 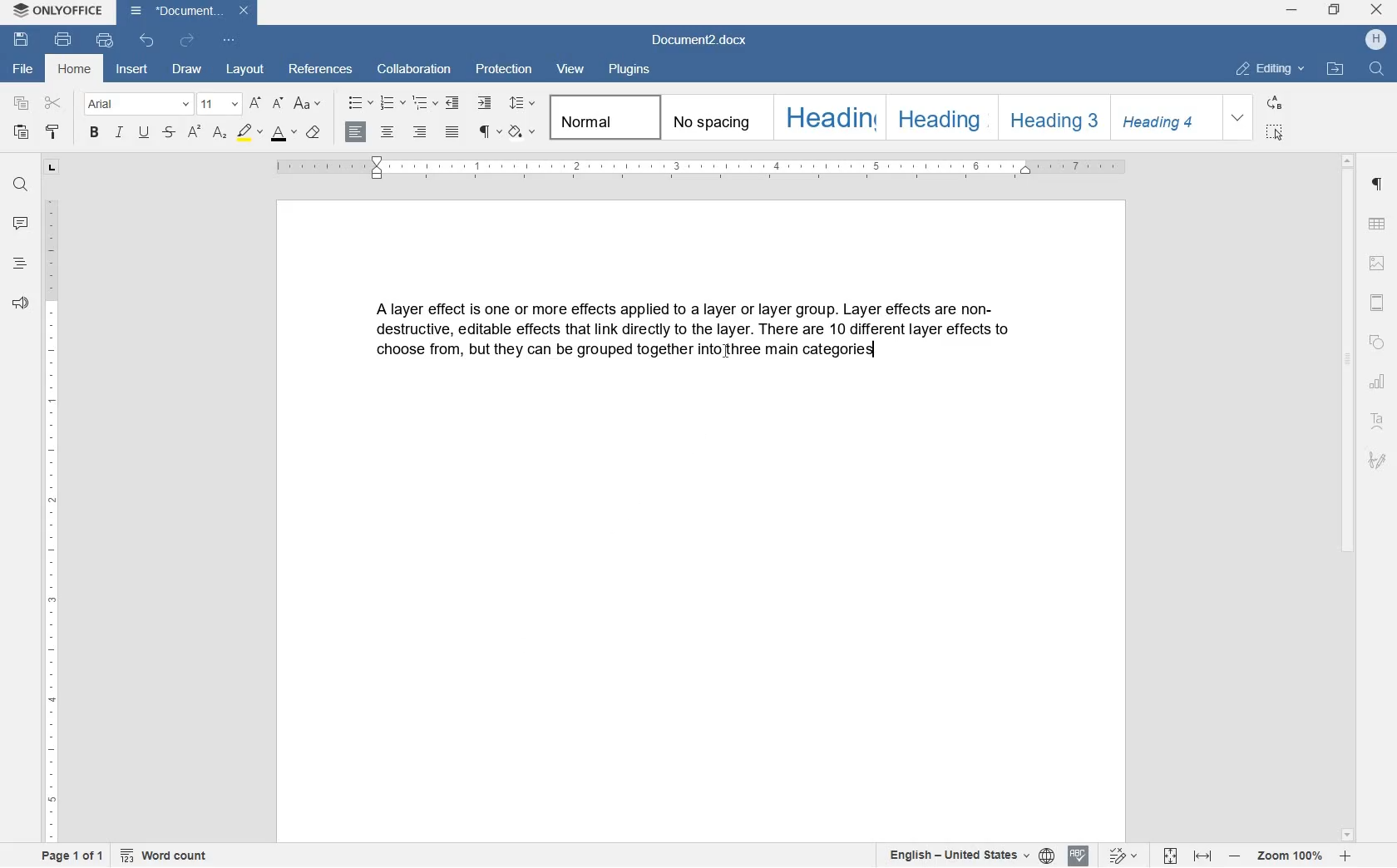 I want to click on heading 2, so click(x=939, y=118).